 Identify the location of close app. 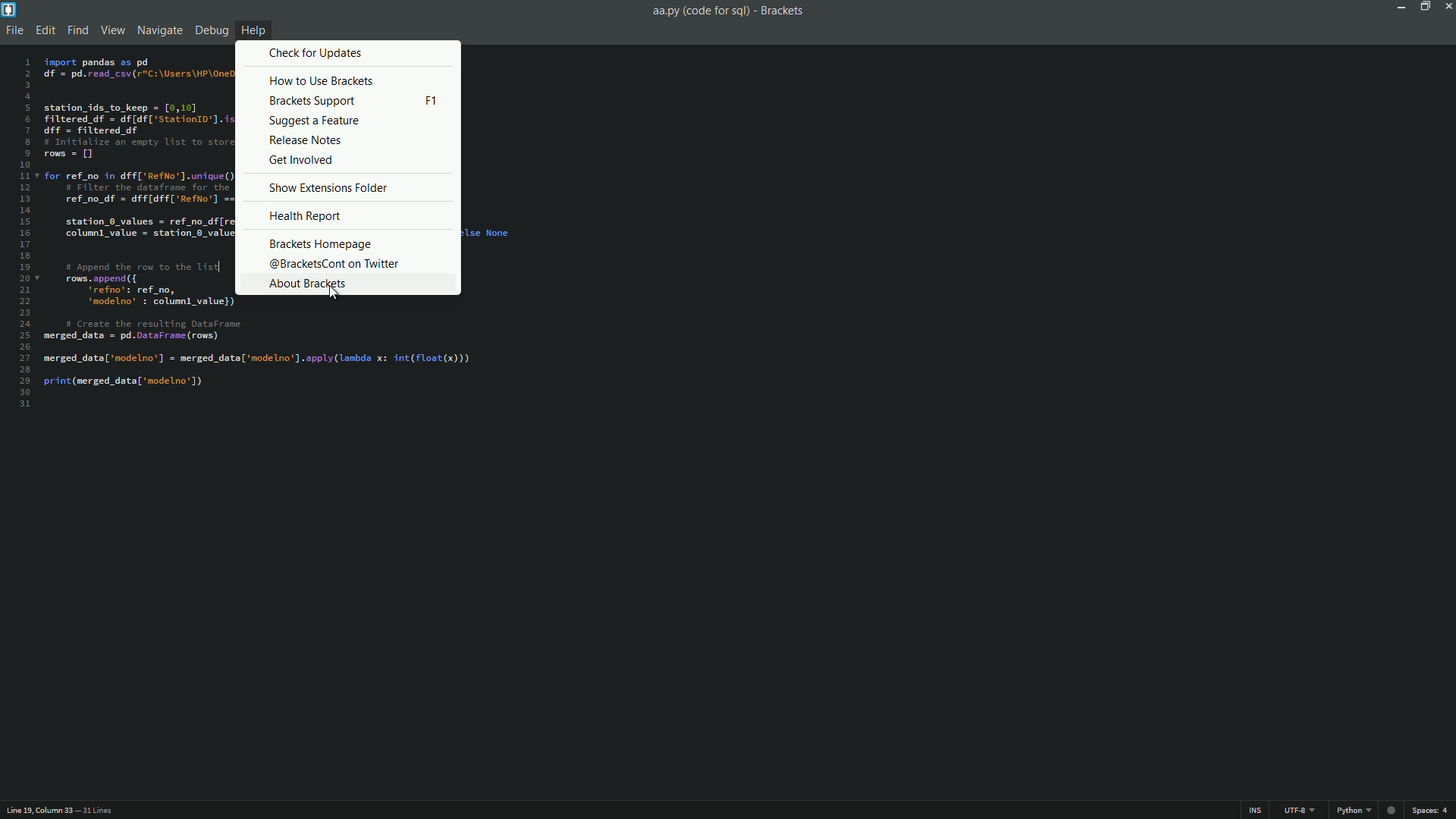
(1447, 8).